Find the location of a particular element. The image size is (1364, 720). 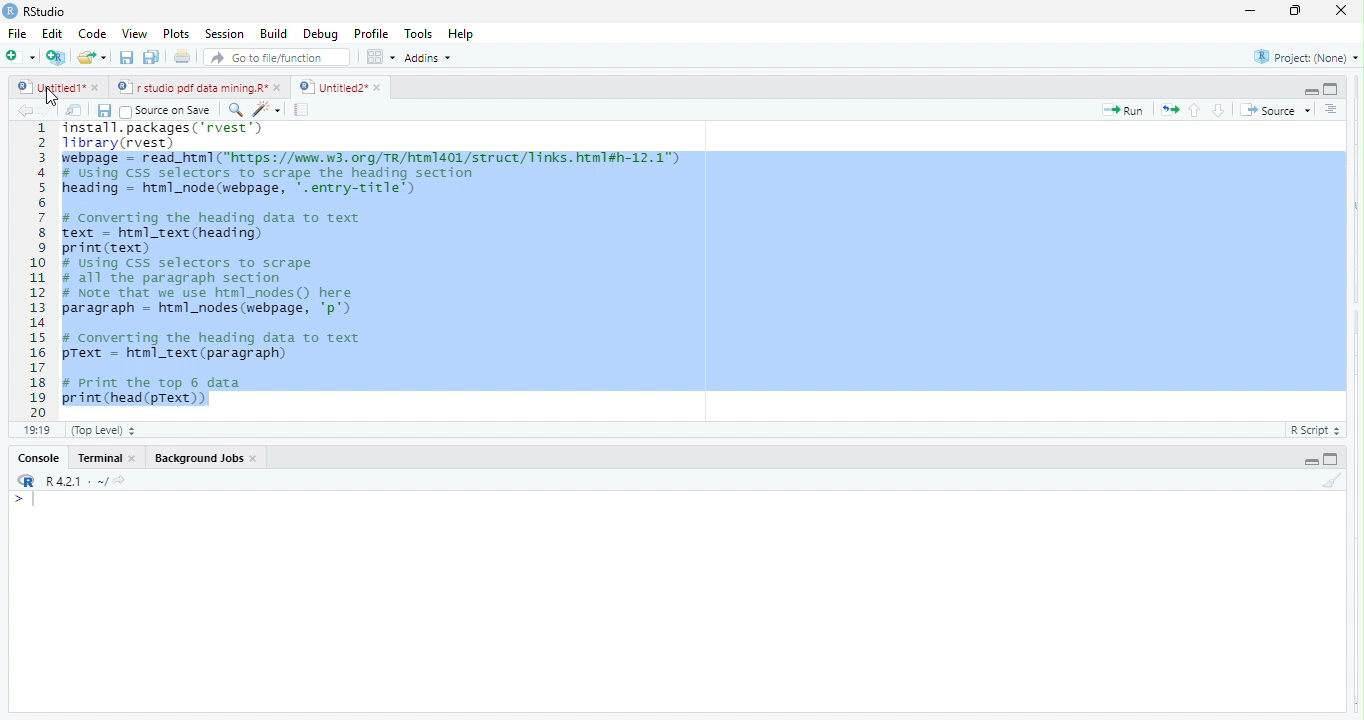

hide console is located at coordinates (1329, 459).